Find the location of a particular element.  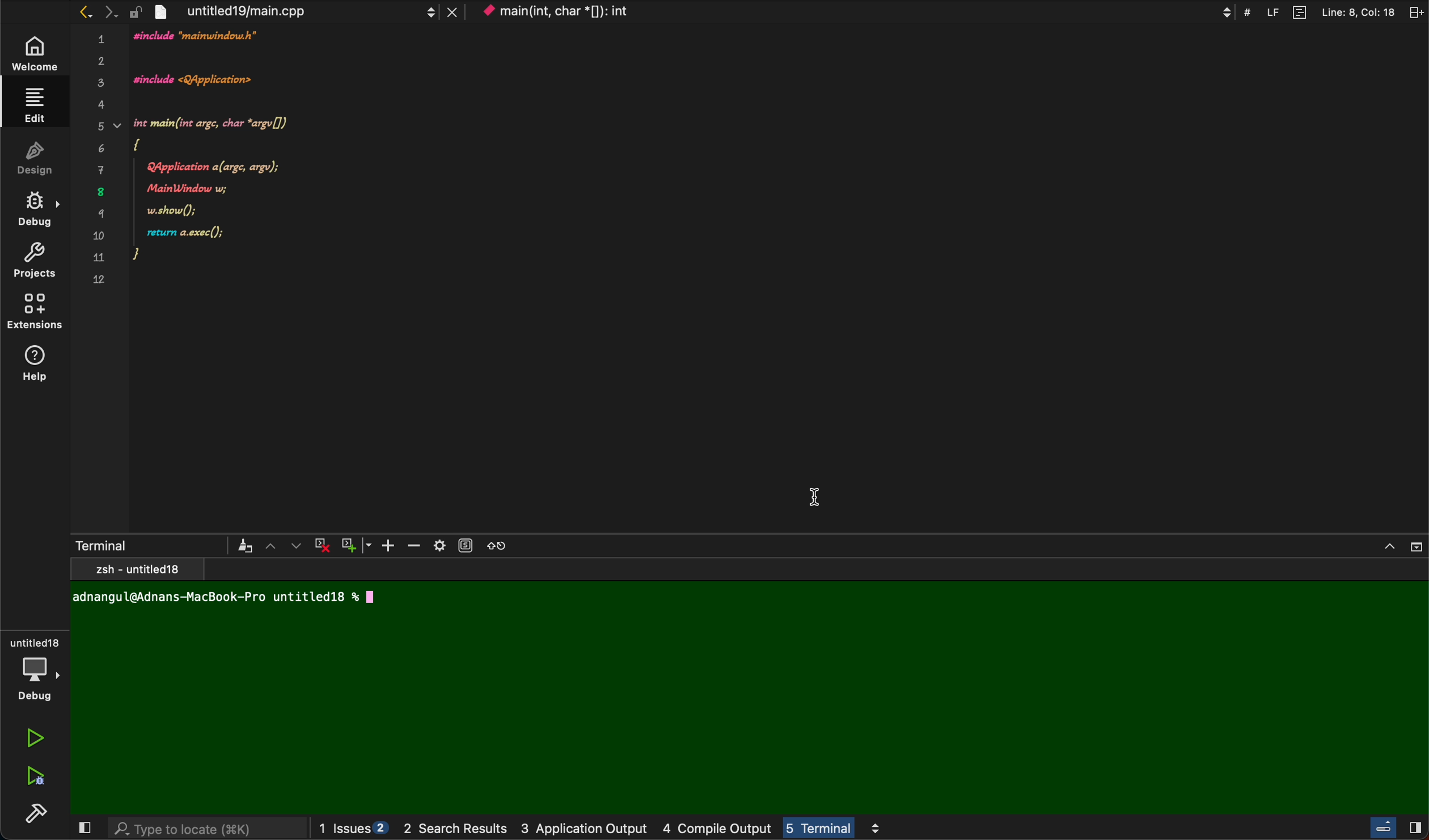

build is located at coordinates (40, 816).